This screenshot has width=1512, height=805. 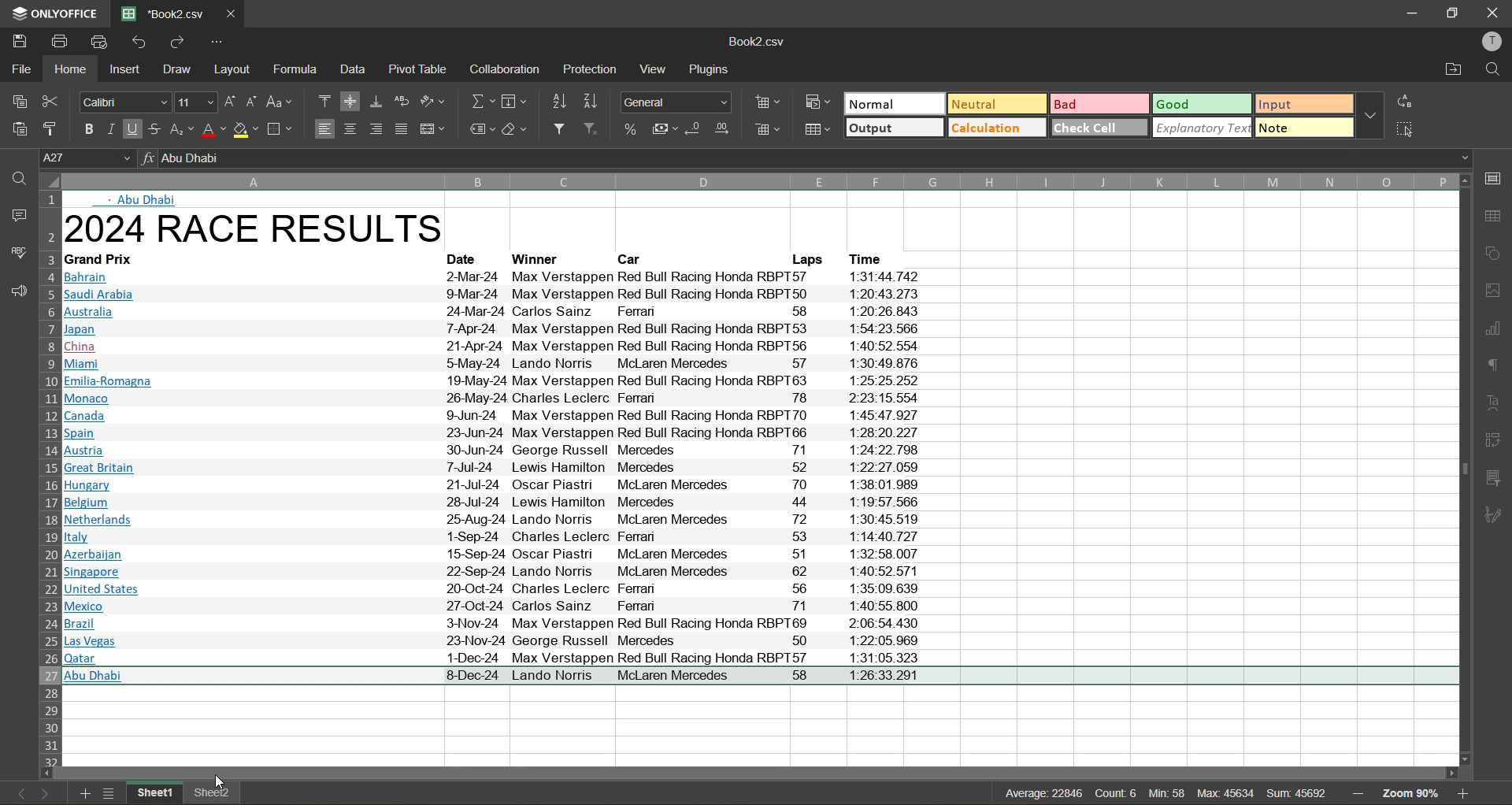 What do you see at coordinates (20, 101) in the screenshot?
I see `copy` at bounding box center [20, 101].